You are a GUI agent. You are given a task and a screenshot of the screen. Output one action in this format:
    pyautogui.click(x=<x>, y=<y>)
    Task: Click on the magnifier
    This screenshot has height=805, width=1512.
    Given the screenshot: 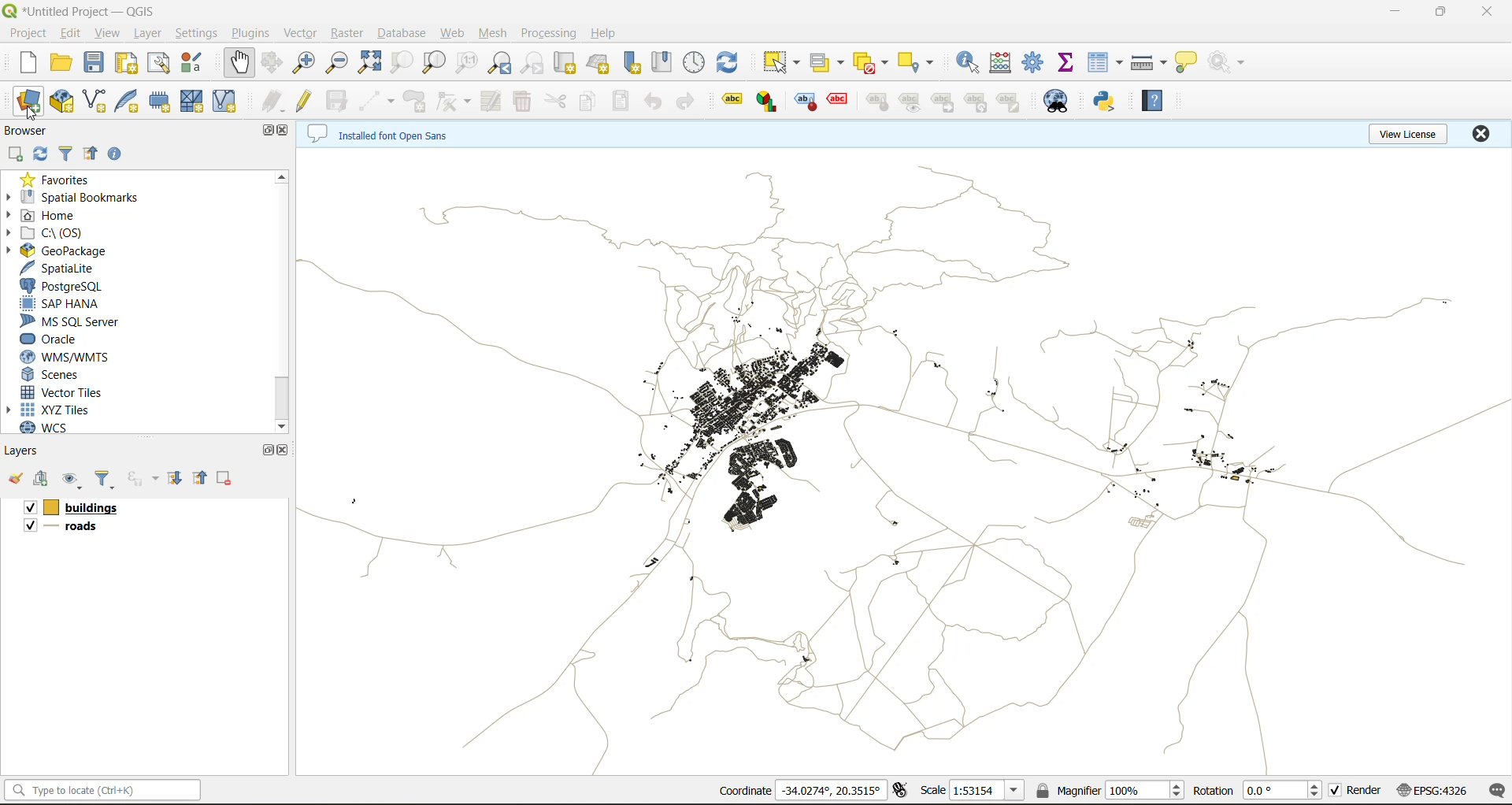 What is the action you would take?
    pyautogui.click(x=1144, y=790)
    